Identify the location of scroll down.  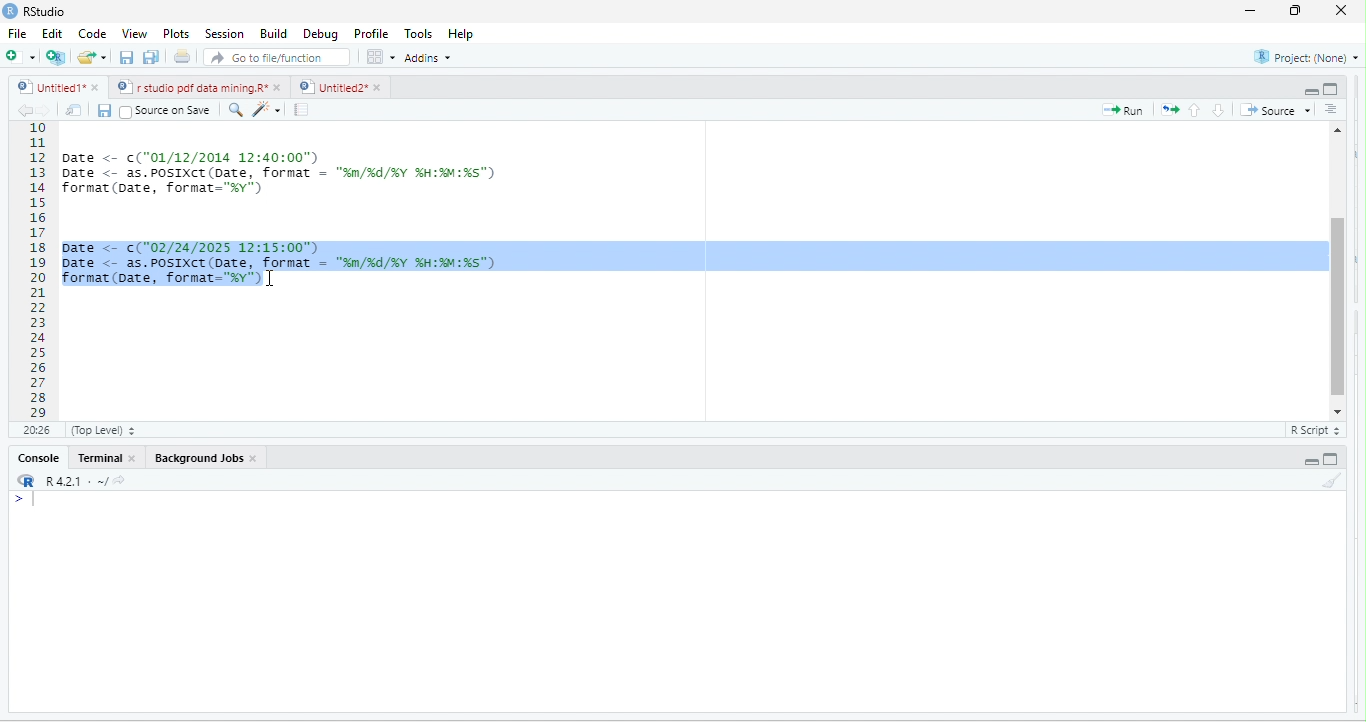
(1337, 411).